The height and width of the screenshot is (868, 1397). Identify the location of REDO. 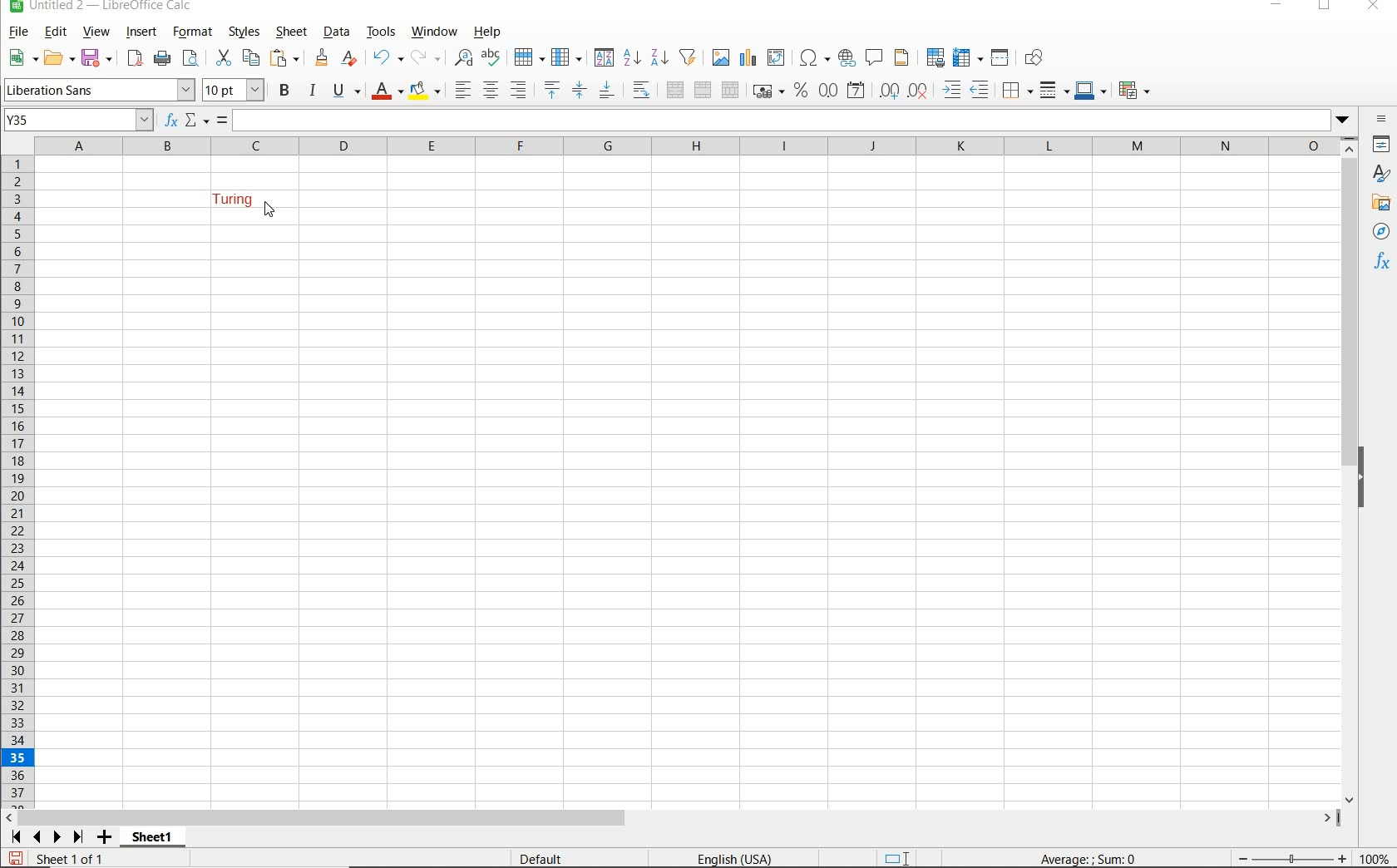
(423, 57).